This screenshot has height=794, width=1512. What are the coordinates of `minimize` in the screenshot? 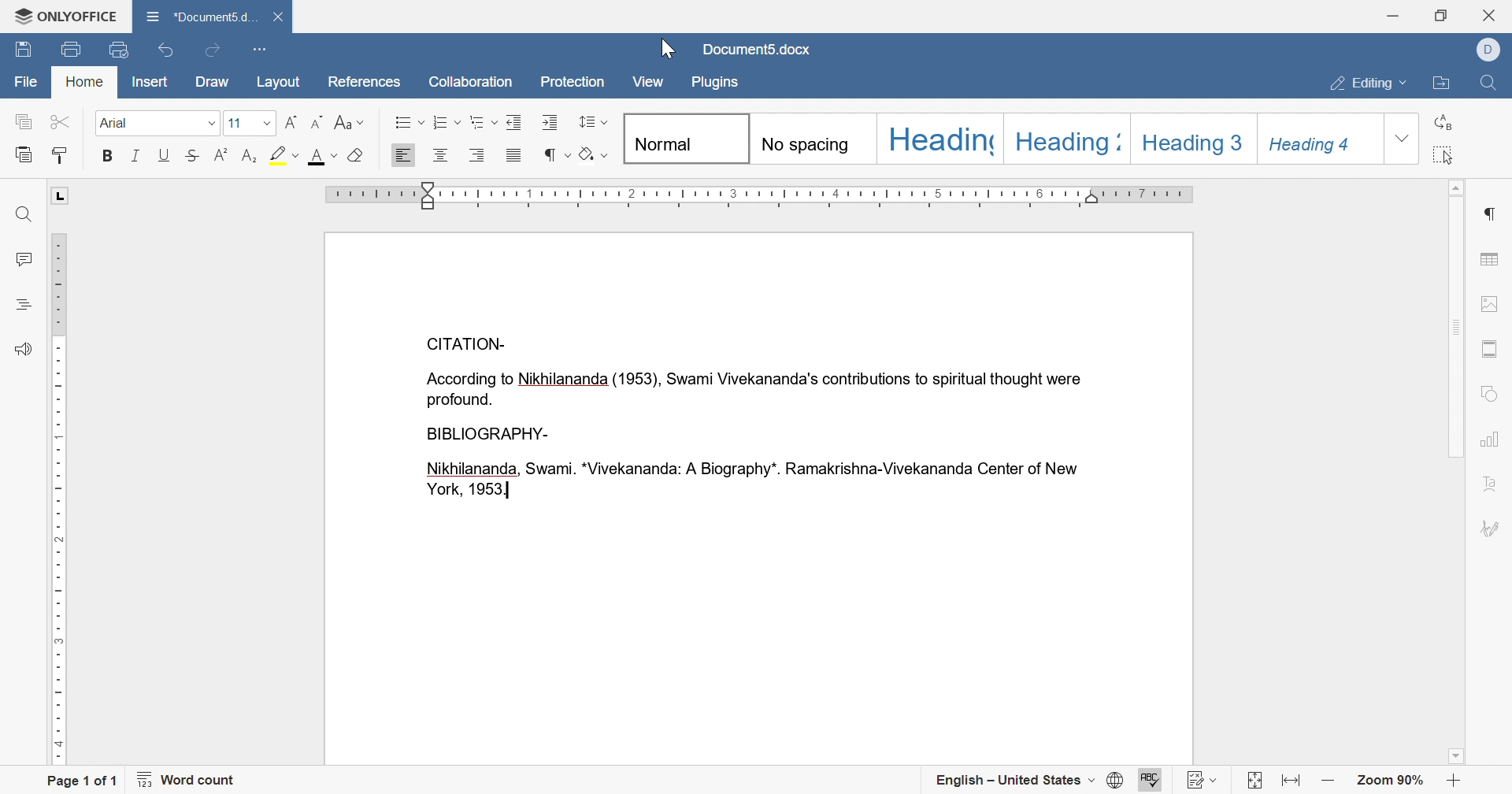 It's located at (1392, 13).